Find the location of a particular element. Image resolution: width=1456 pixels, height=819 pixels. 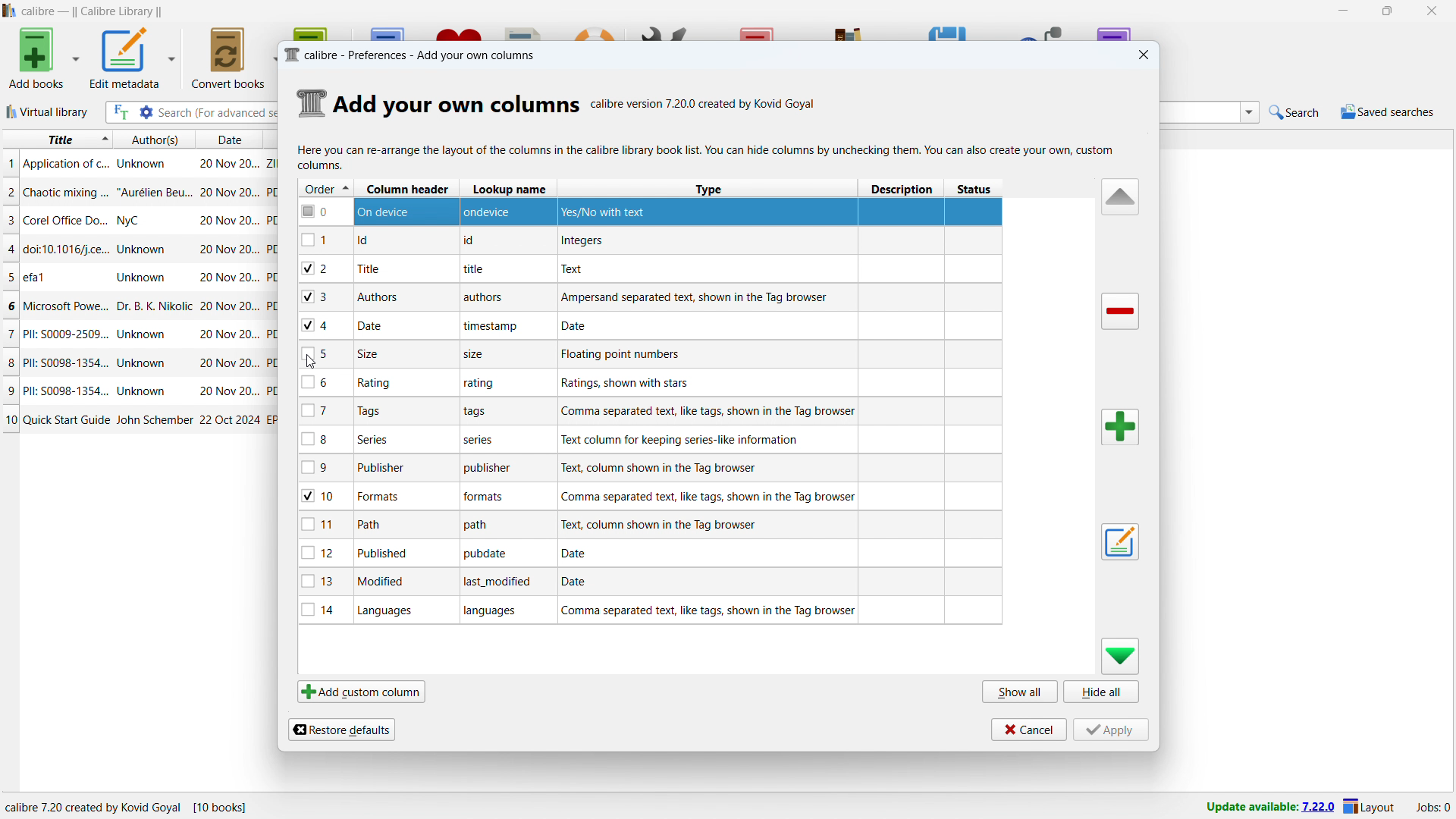

title is located at coordinates (67, 334).